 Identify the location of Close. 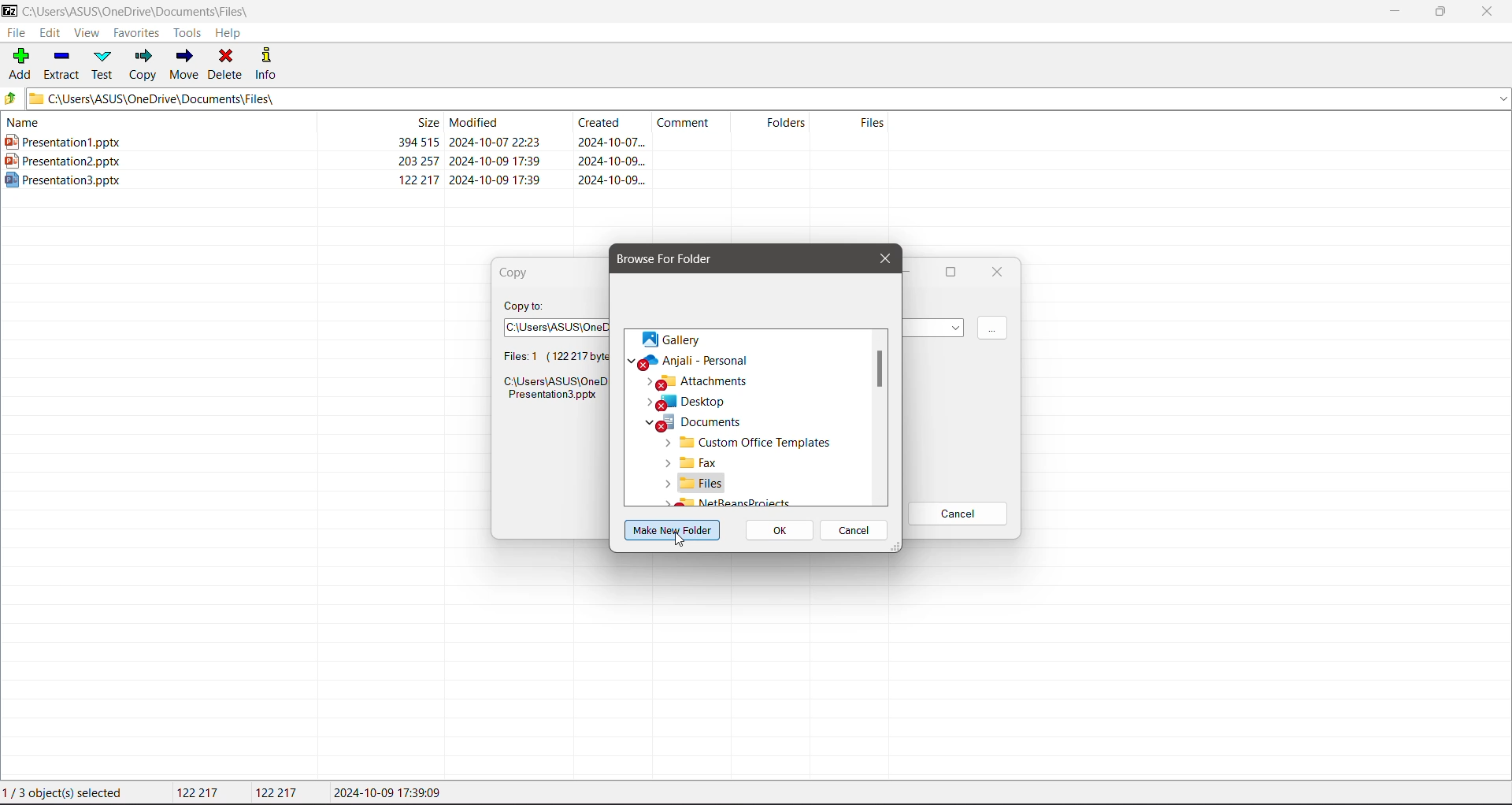
(997, 272).